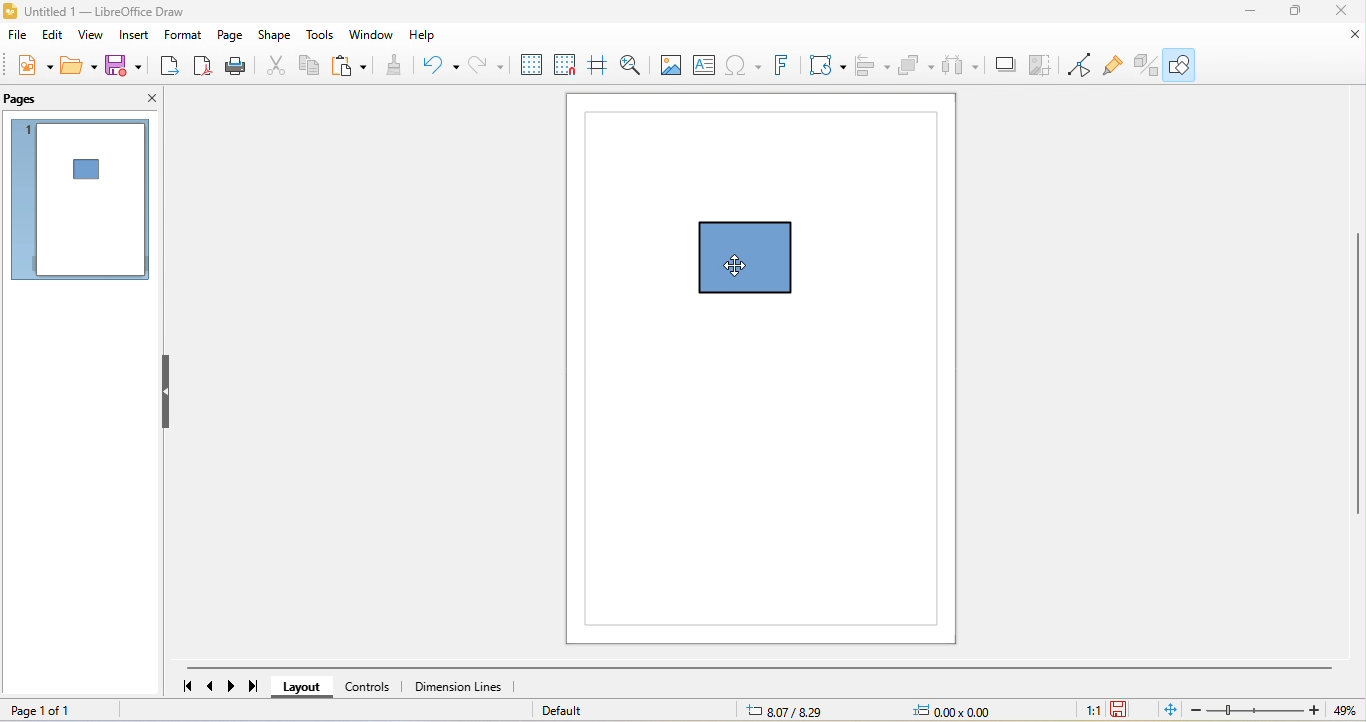  Describe the element at coordinates (632, 64) in the screenshot. I see `zoom and pan` at that location.